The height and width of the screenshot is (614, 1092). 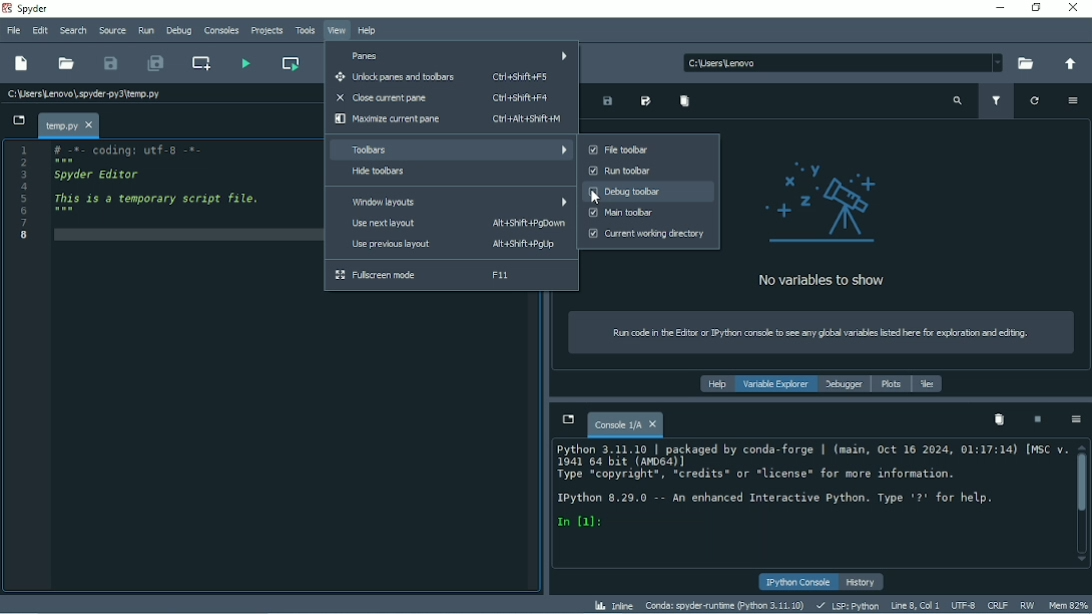 I want to click on Debug toolbar, so click(x=650, y=192).